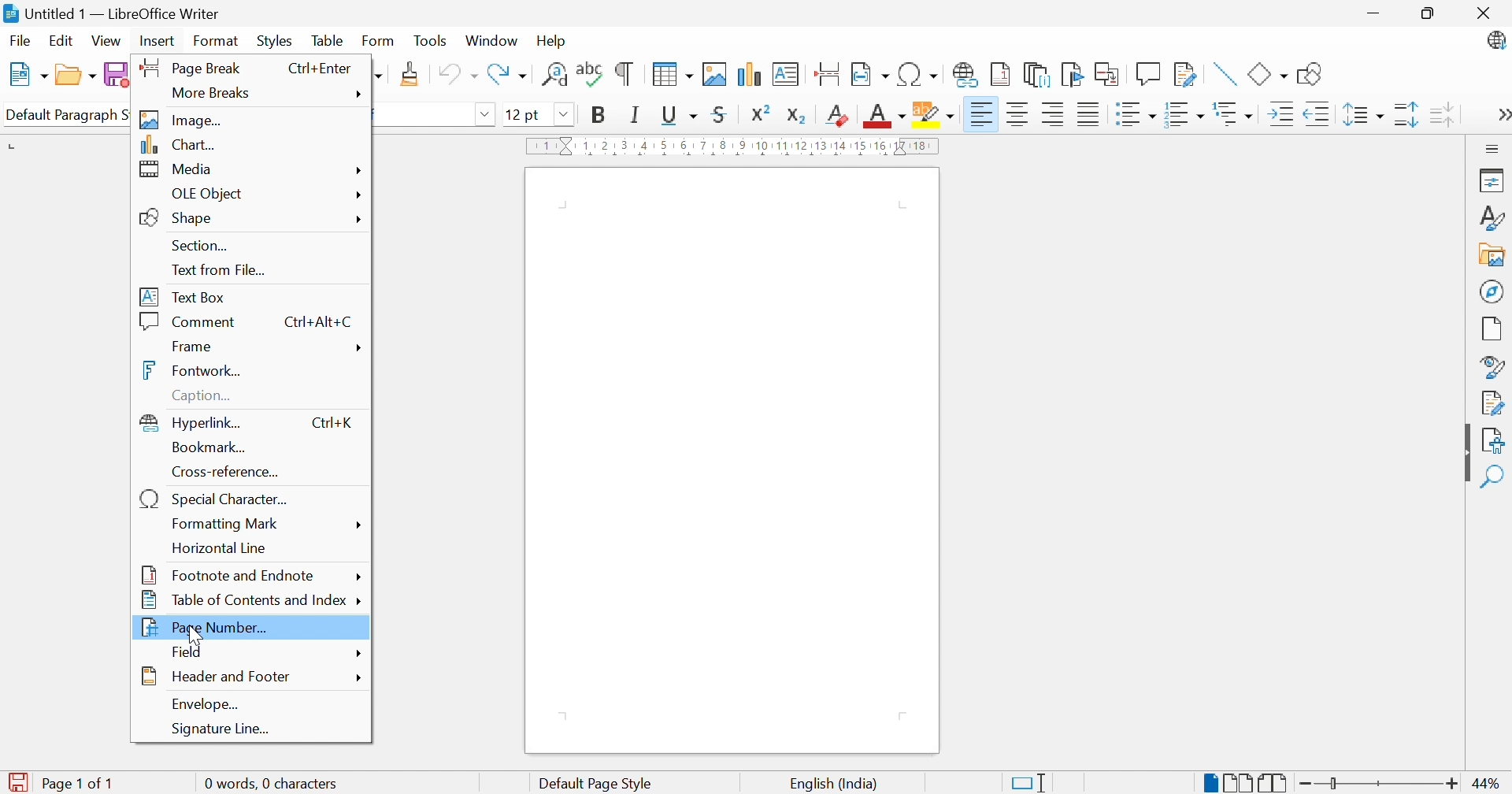  I want to click on Drop down, so click(487, 115).